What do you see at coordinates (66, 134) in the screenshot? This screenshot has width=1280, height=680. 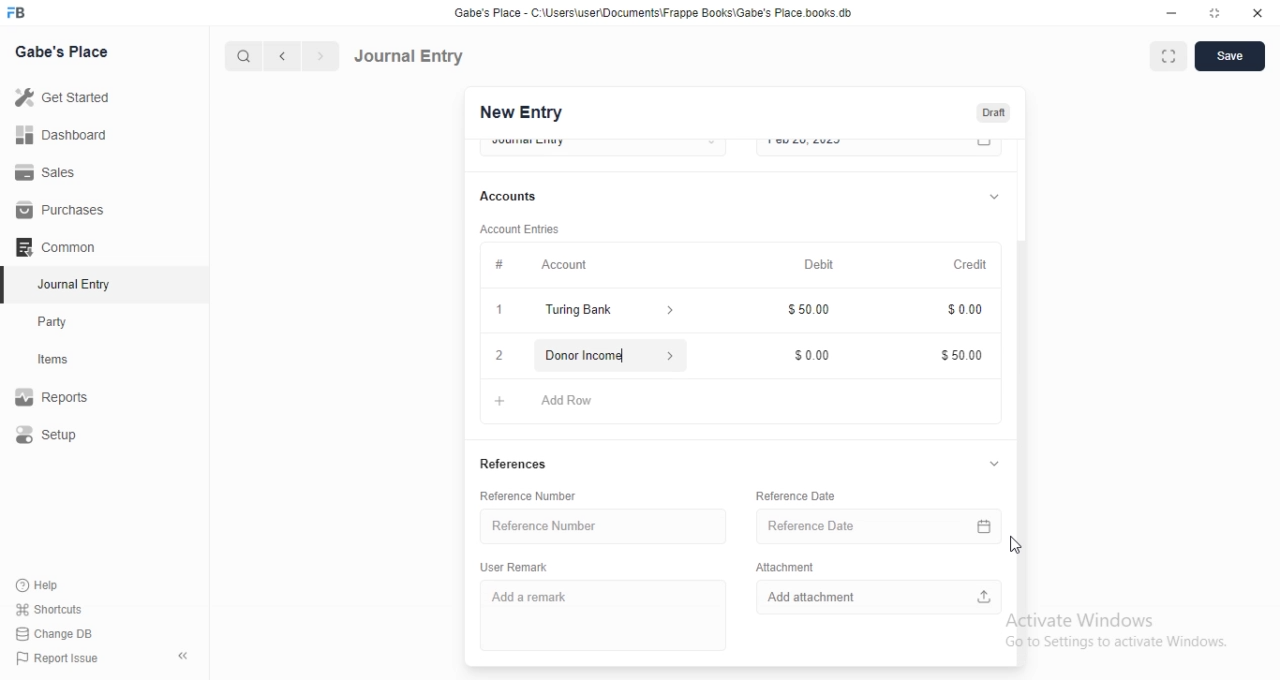 I see `Dashboard` at bounding box center [66, 134].